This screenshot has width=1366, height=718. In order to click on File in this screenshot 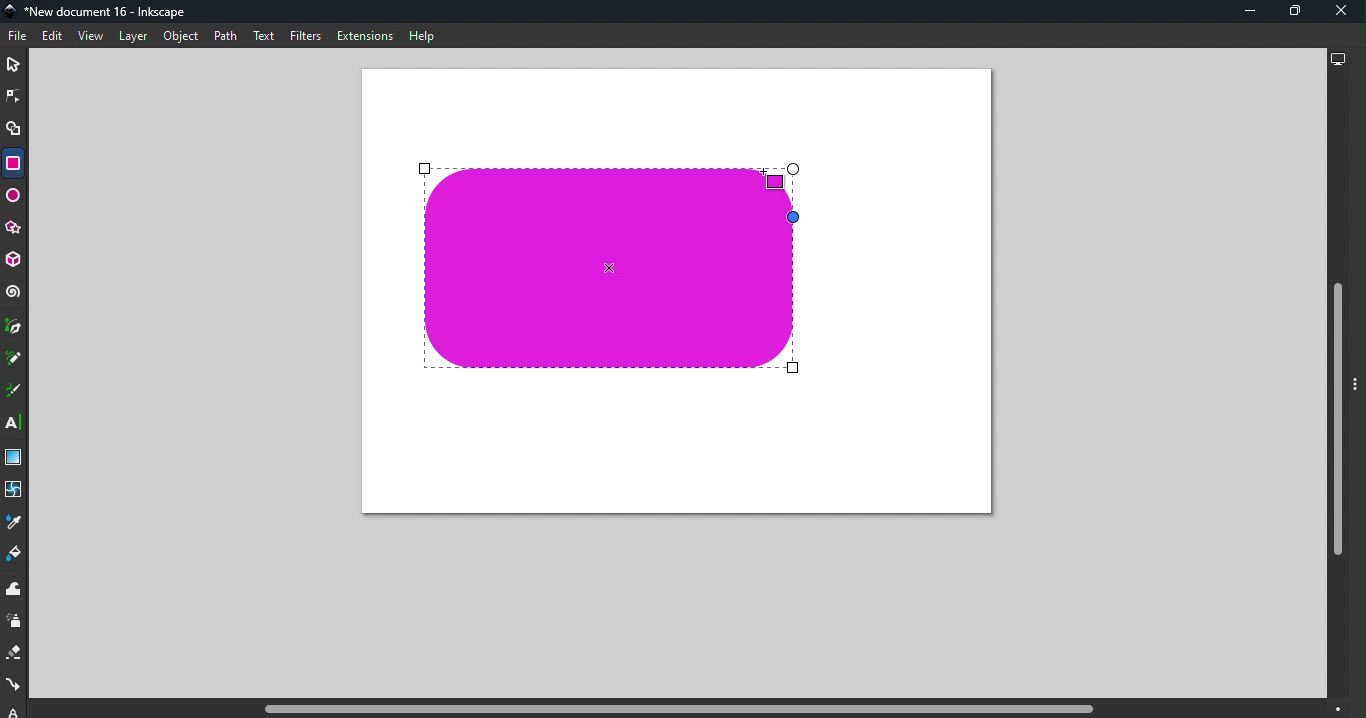, I will do `click(20, 37)`.